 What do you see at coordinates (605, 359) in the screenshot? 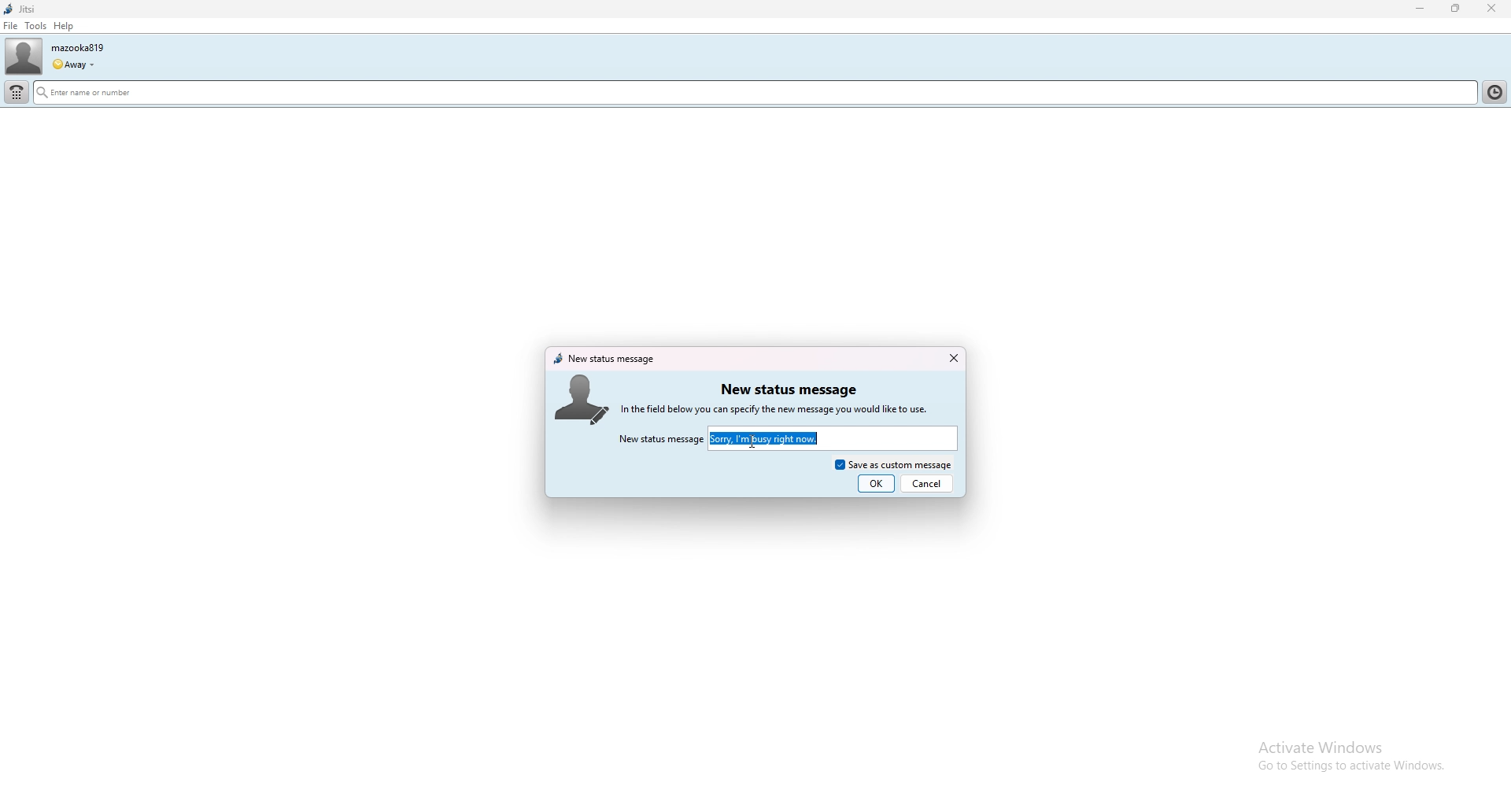
I see `new status message` at bounding box center [605, 359].